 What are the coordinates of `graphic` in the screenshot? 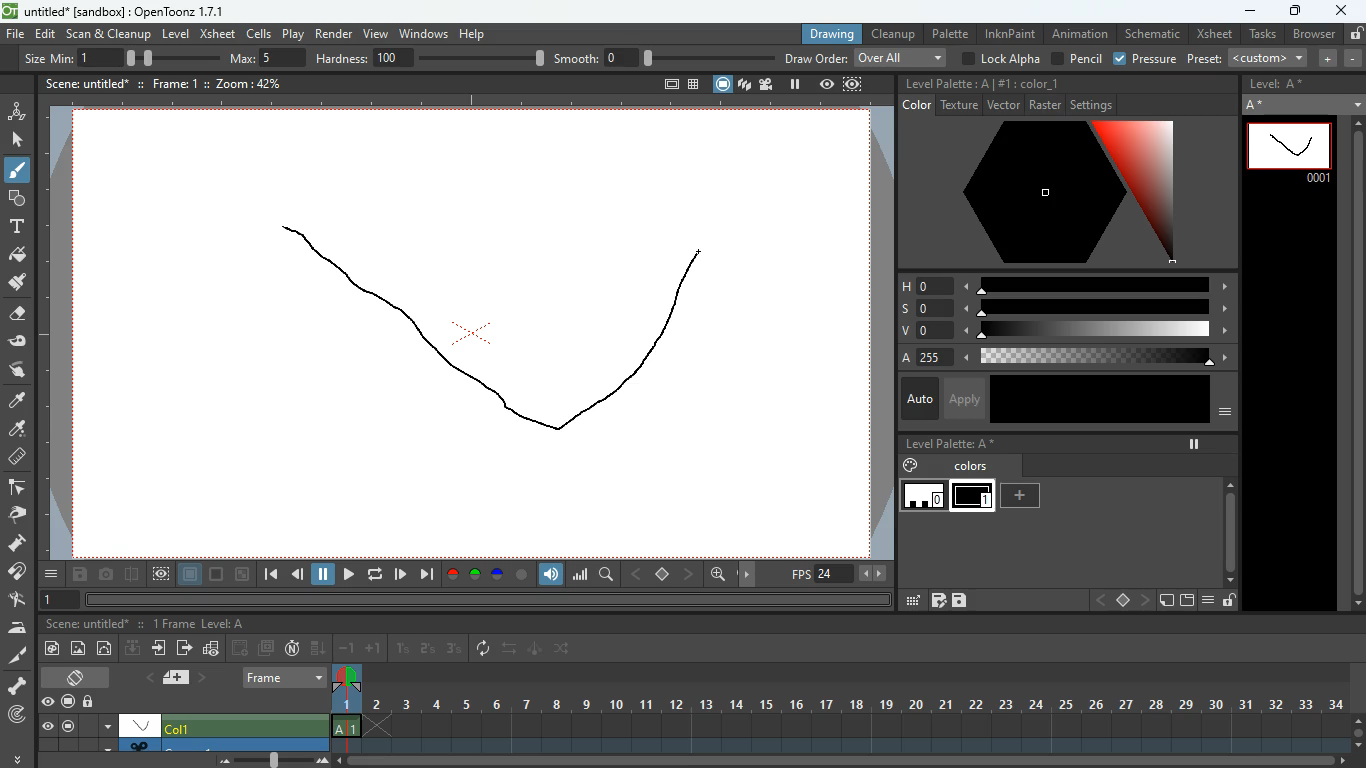 It's located at (211, 650).